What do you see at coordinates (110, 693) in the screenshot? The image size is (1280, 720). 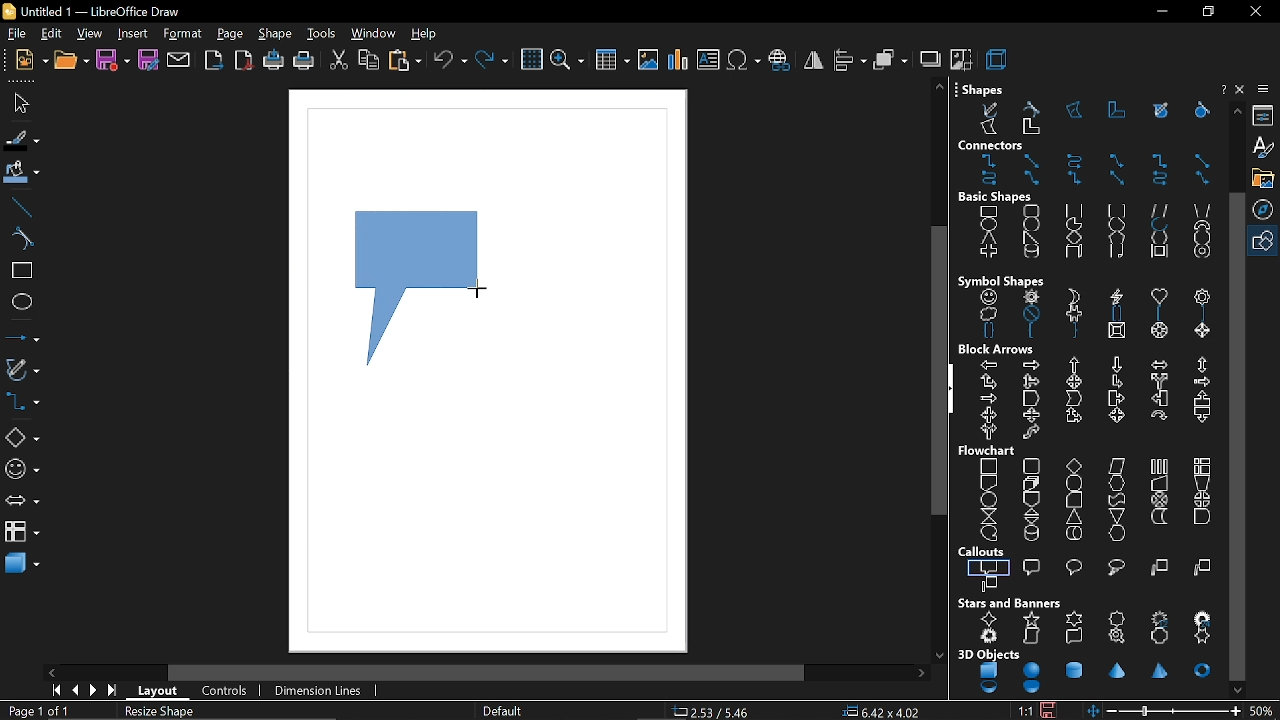 I see `go to last page` at bounding box center [110, 693].